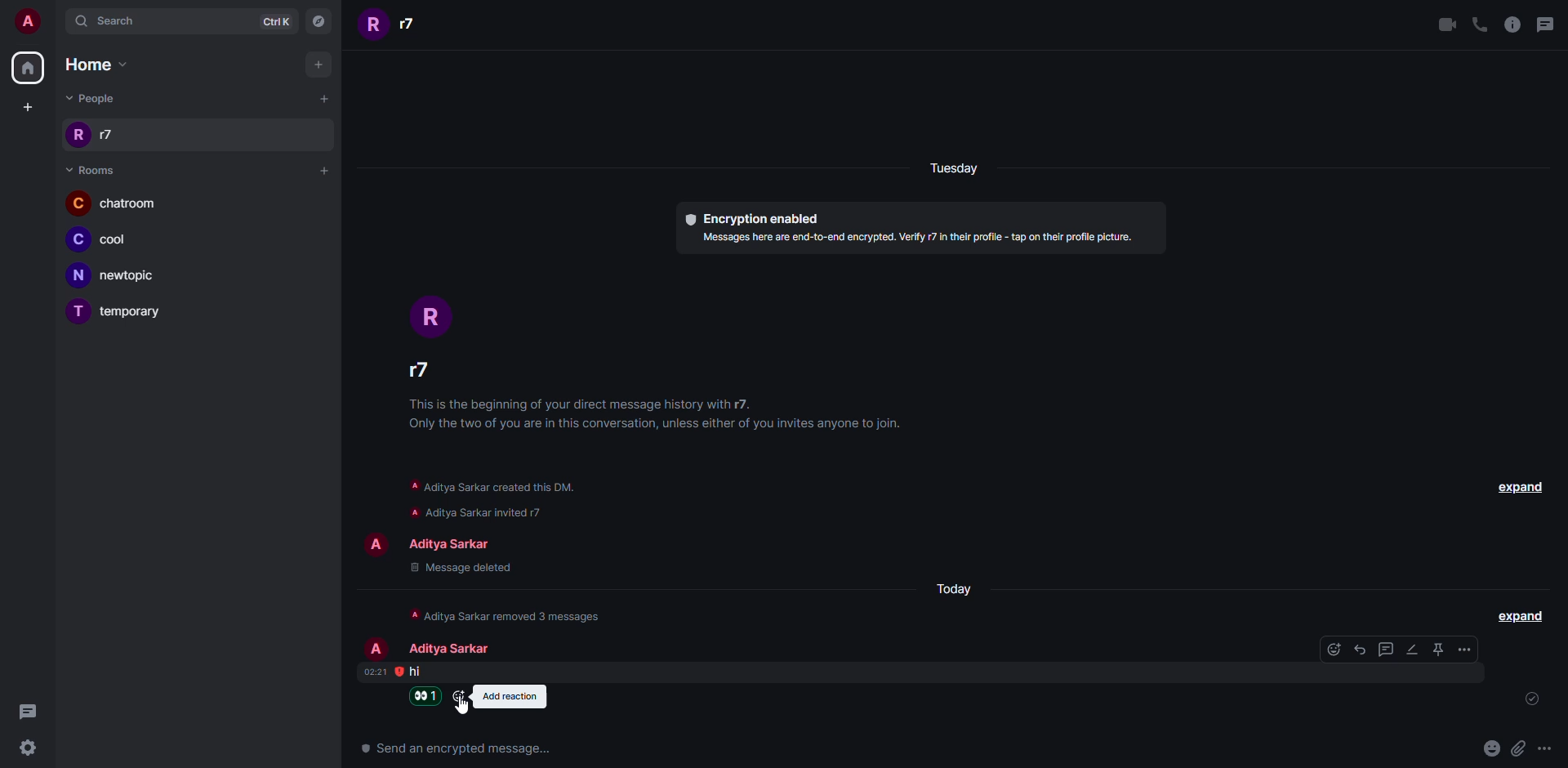 The width and height of the screenshot is (1568, 768). I want to click on emoji, so click(1490, 748).